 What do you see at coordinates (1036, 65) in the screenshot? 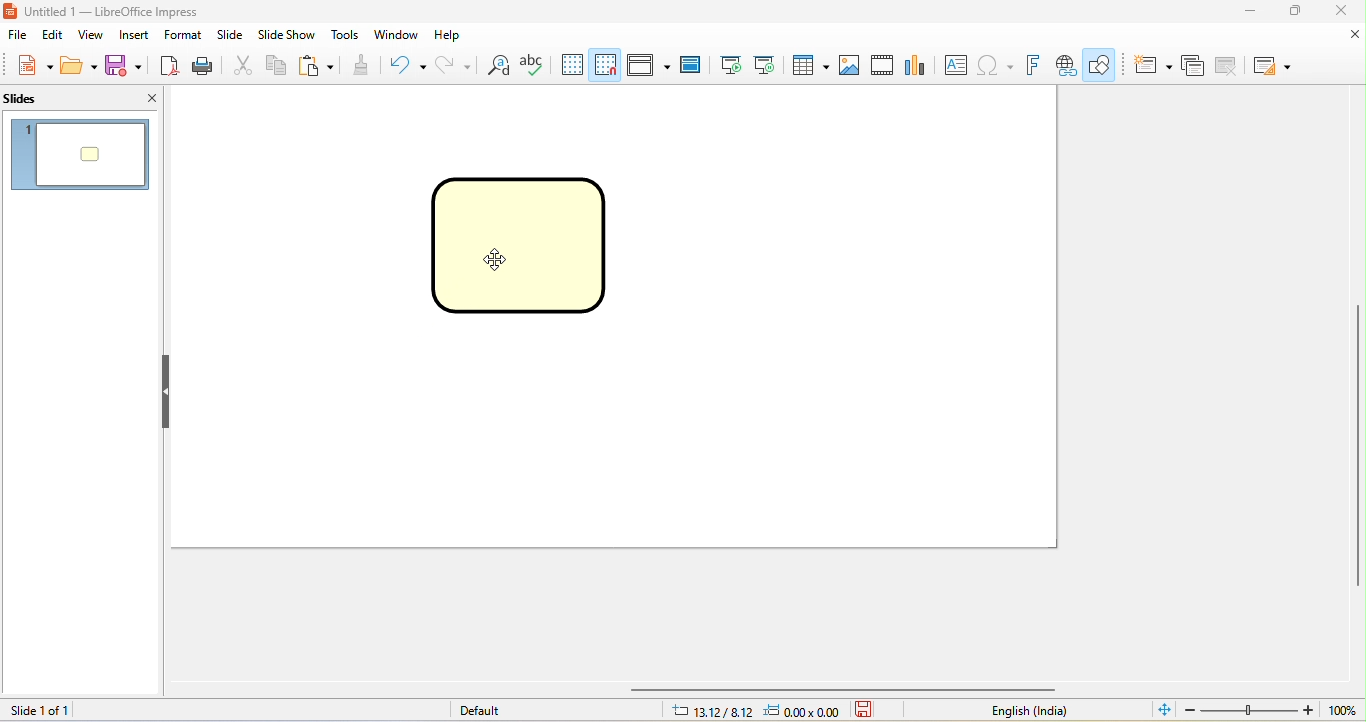
I see `fontwork text` at bounding box center [1036, 65].